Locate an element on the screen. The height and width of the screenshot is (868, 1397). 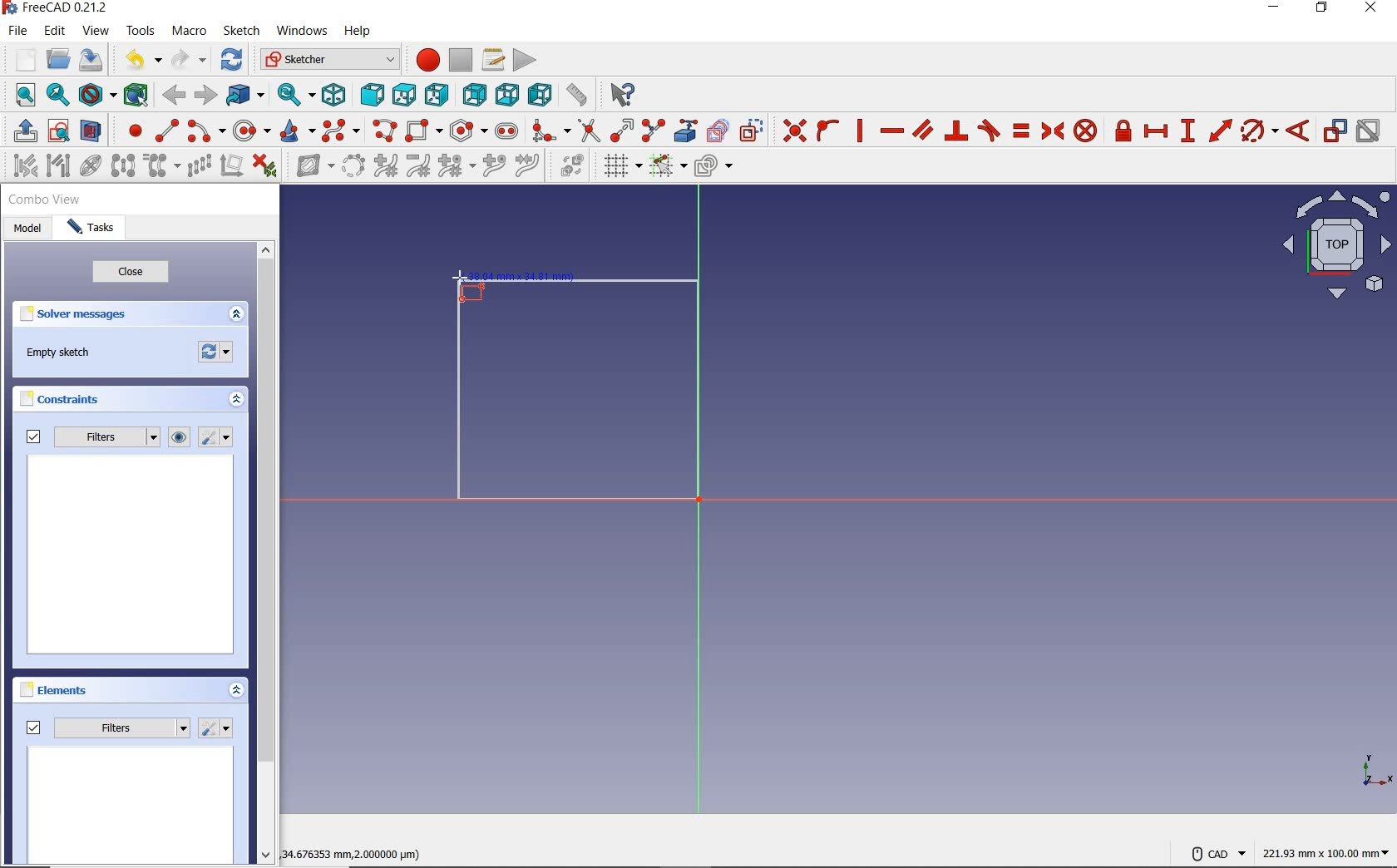
create arc is located at coordinates (205, 131).